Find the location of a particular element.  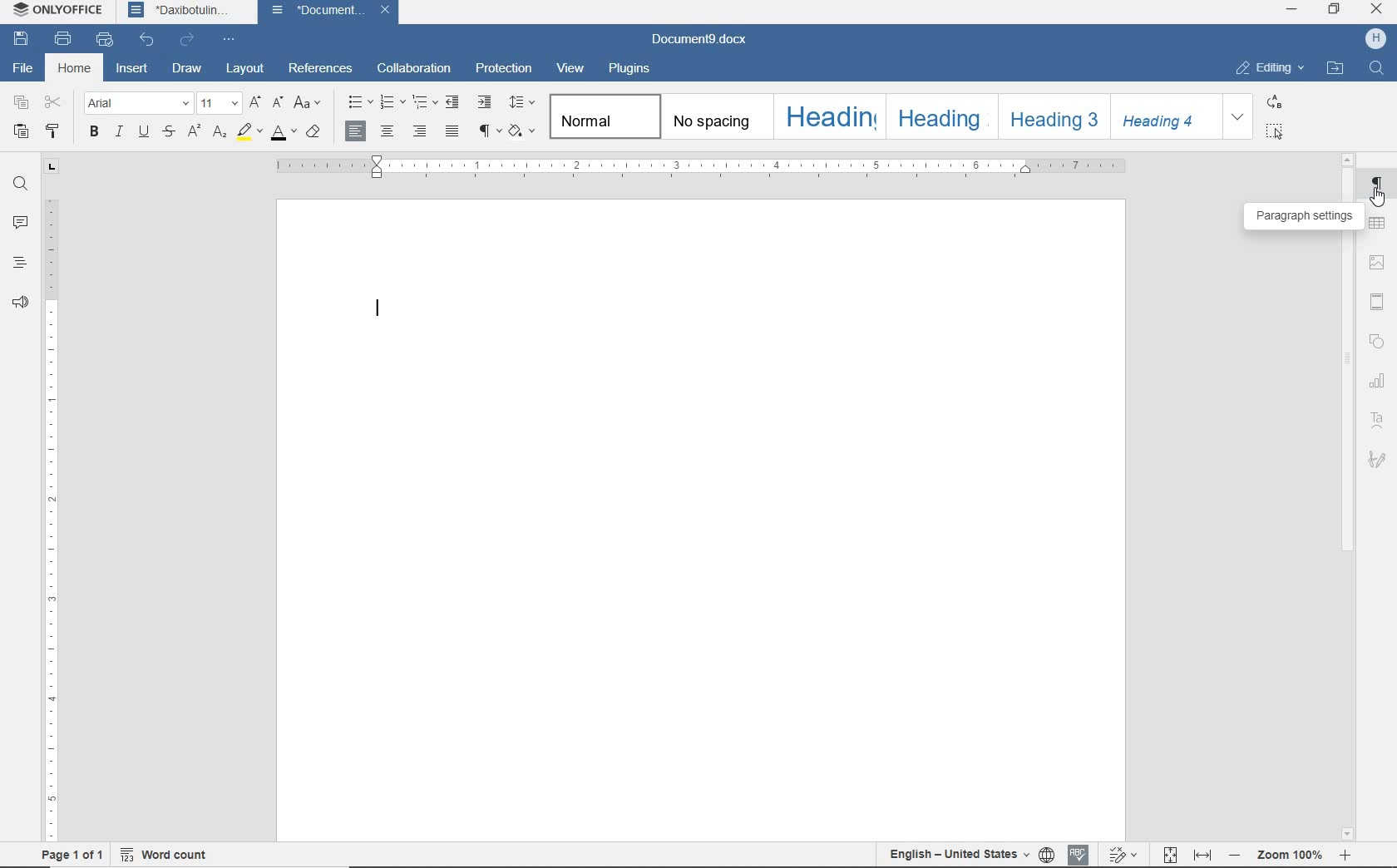

Heading 4 is located at coordinates (1167, 116).